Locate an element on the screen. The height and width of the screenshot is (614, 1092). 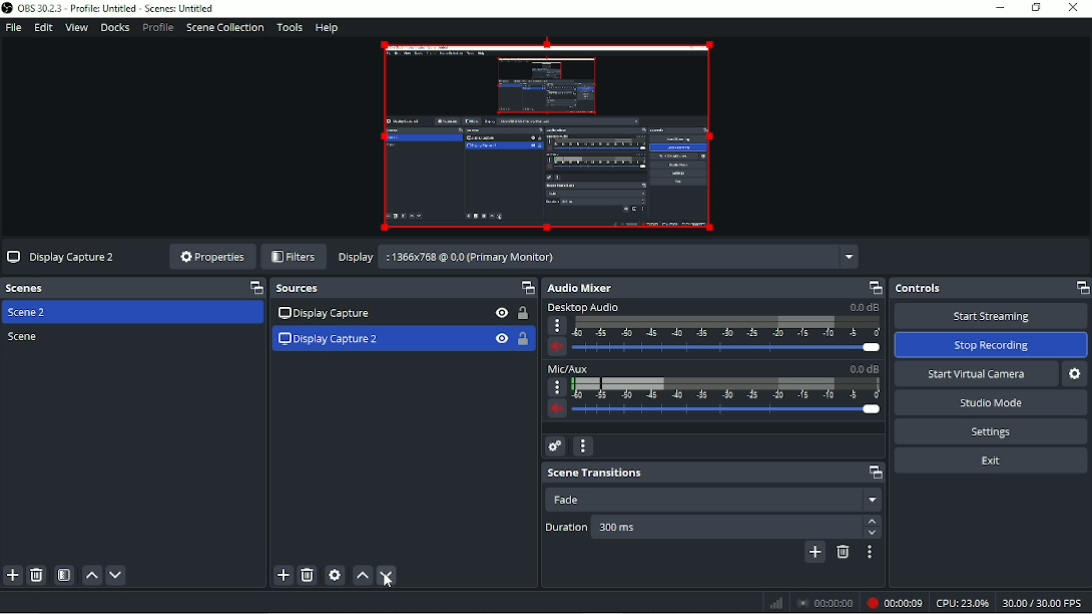
Stop recording is located at coordinates (991, 345).